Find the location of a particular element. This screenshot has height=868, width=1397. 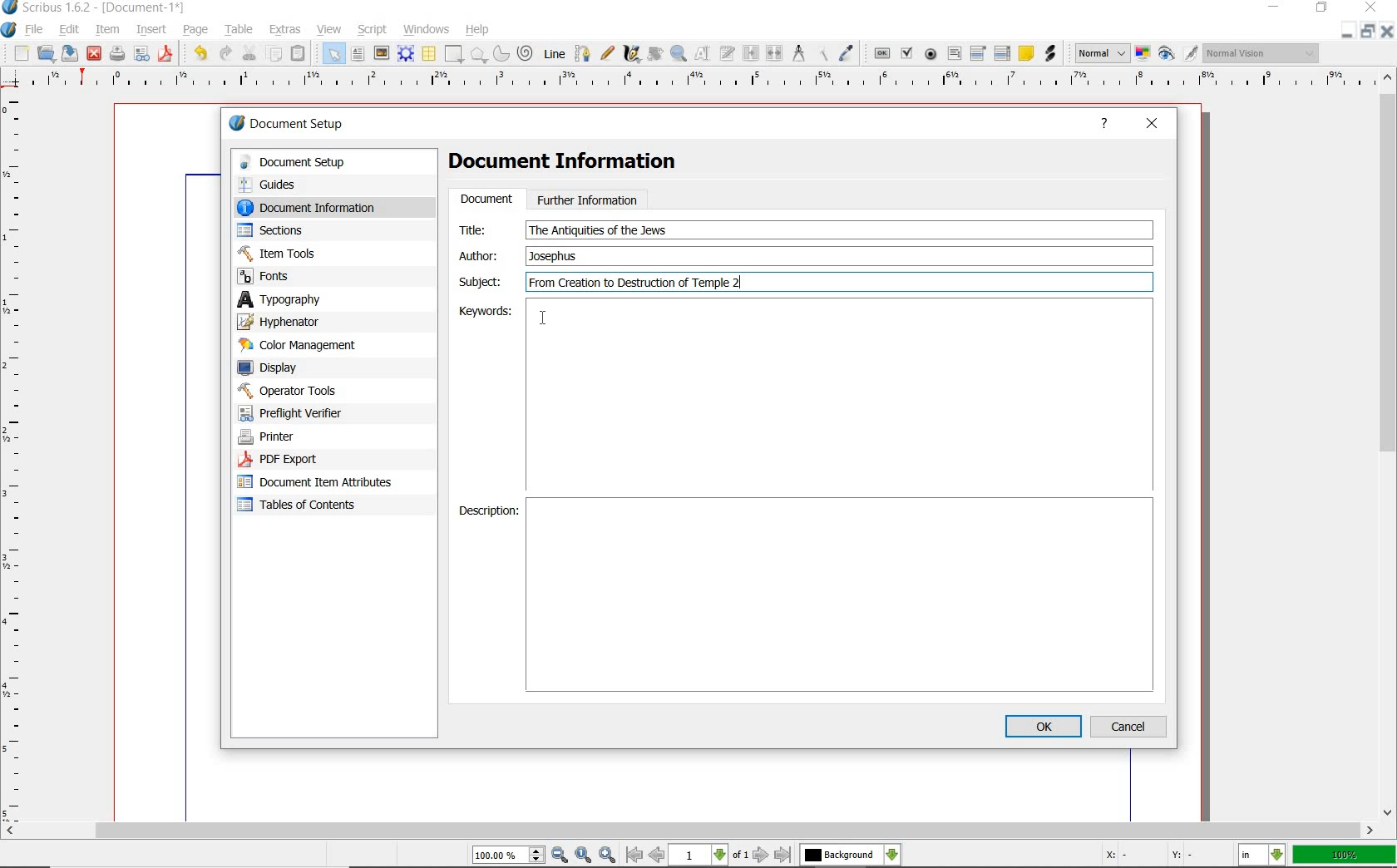

document setup is located at coordinates (288, 123).